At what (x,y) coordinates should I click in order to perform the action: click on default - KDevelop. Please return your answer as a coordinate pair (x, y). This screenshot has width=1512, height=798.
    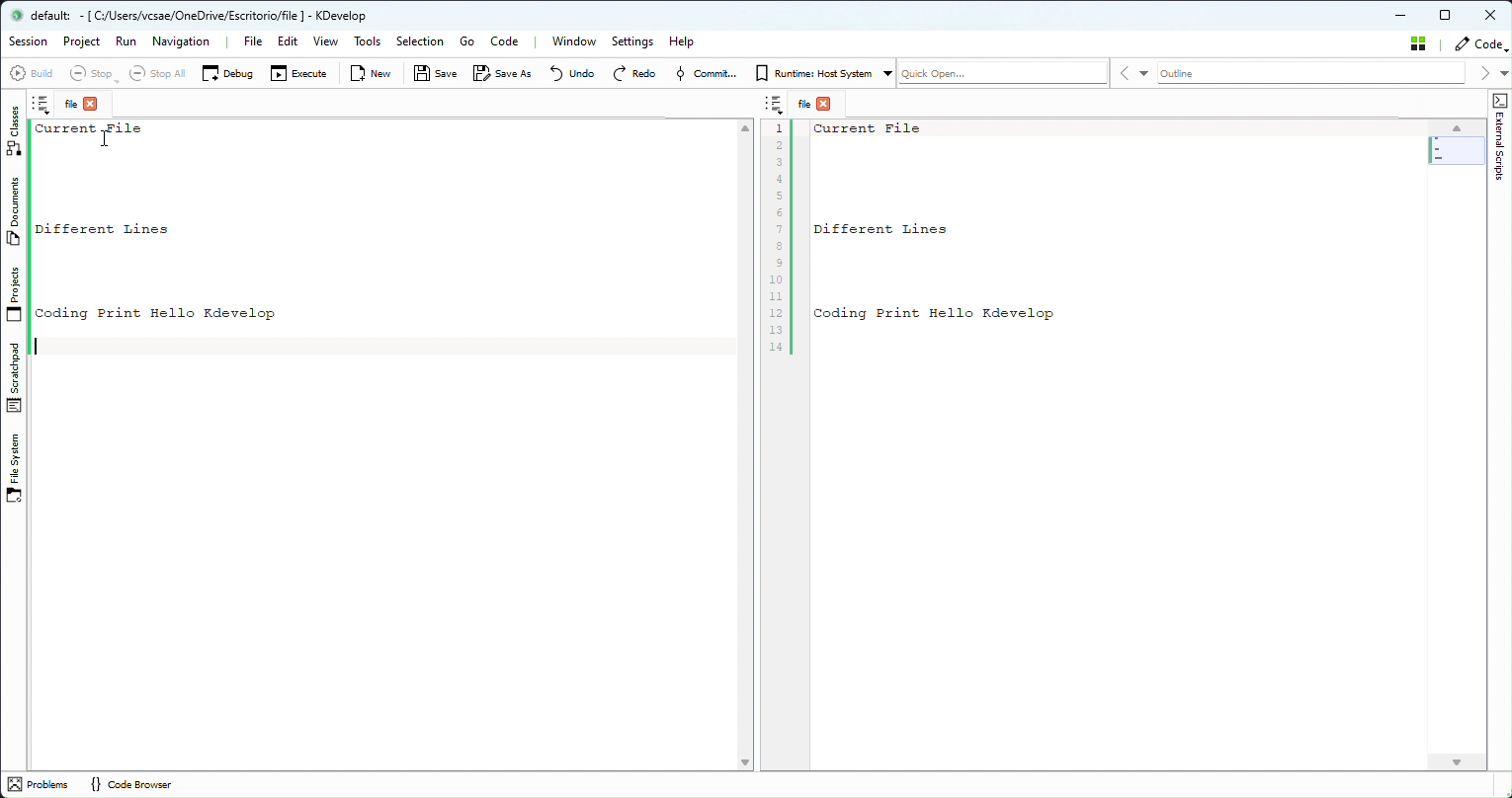
    Looking at the image, I should click on (219, 16).